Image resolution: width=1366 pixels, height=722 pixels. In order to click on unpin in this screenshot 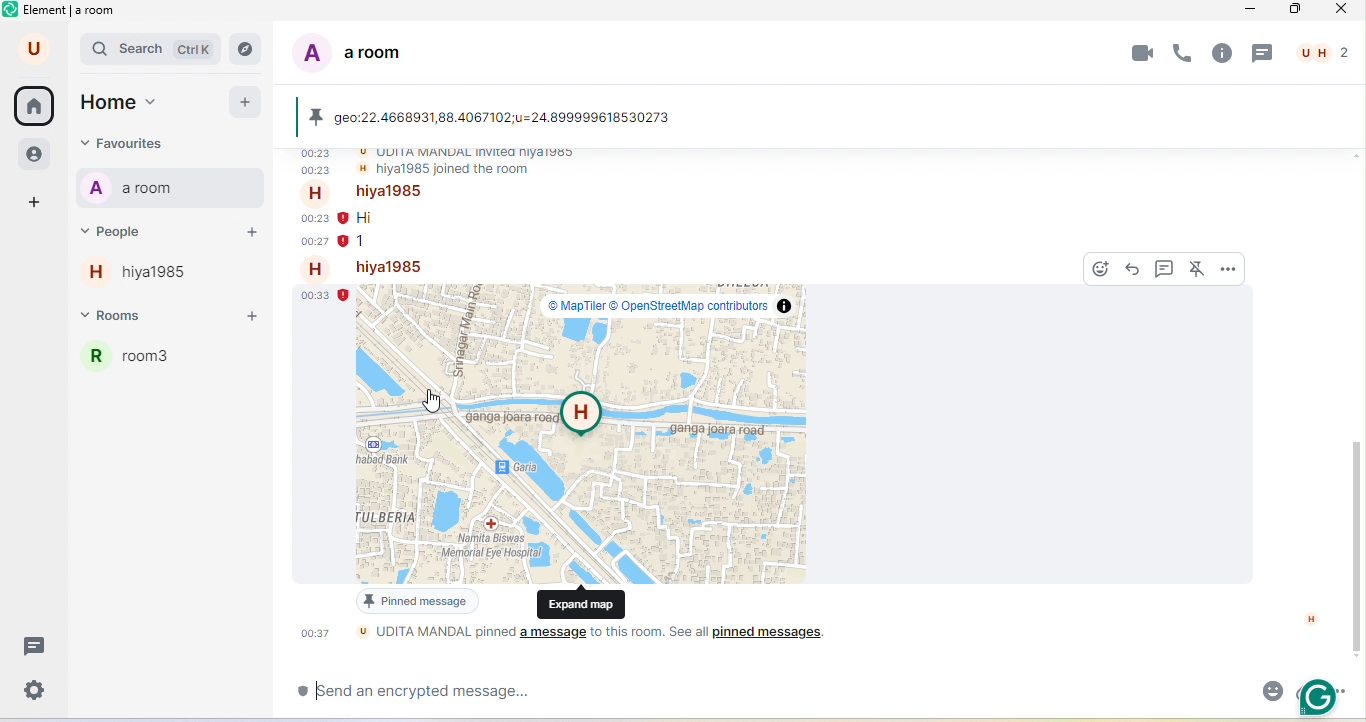, I will do `click(1199, 268)`.